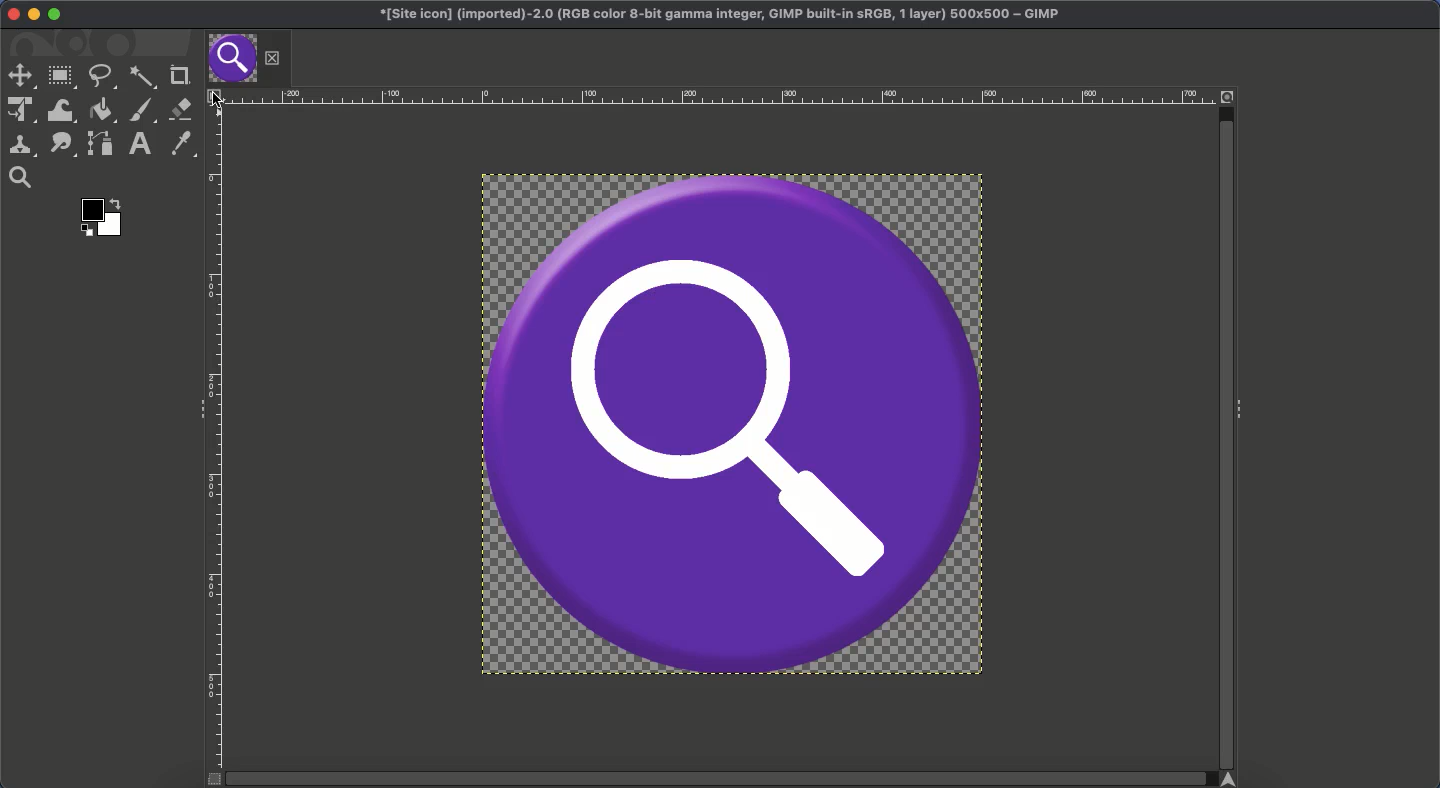  Describe the element at coordinates (59, 110) in the screenshot. I see `Warp transformation` at that location.